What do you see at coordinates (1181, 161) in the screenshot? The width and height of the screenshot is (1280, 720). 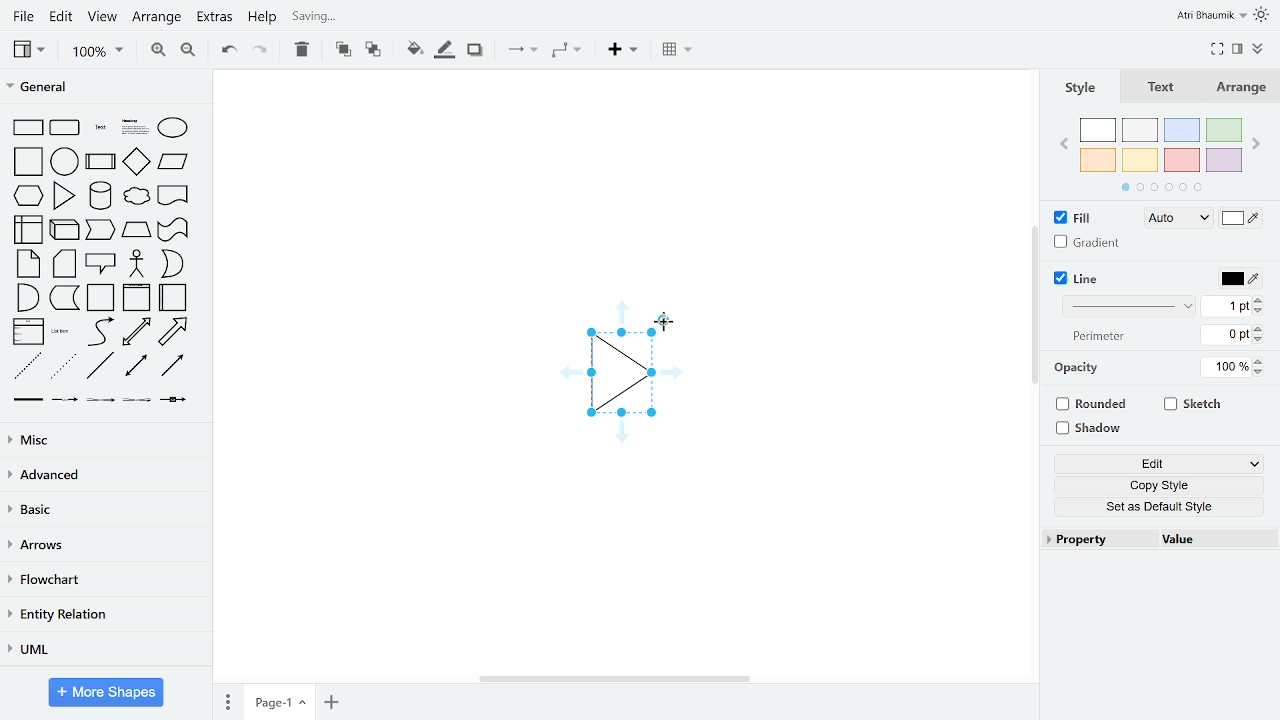 I see `red` at bounding box center [1181, 161].